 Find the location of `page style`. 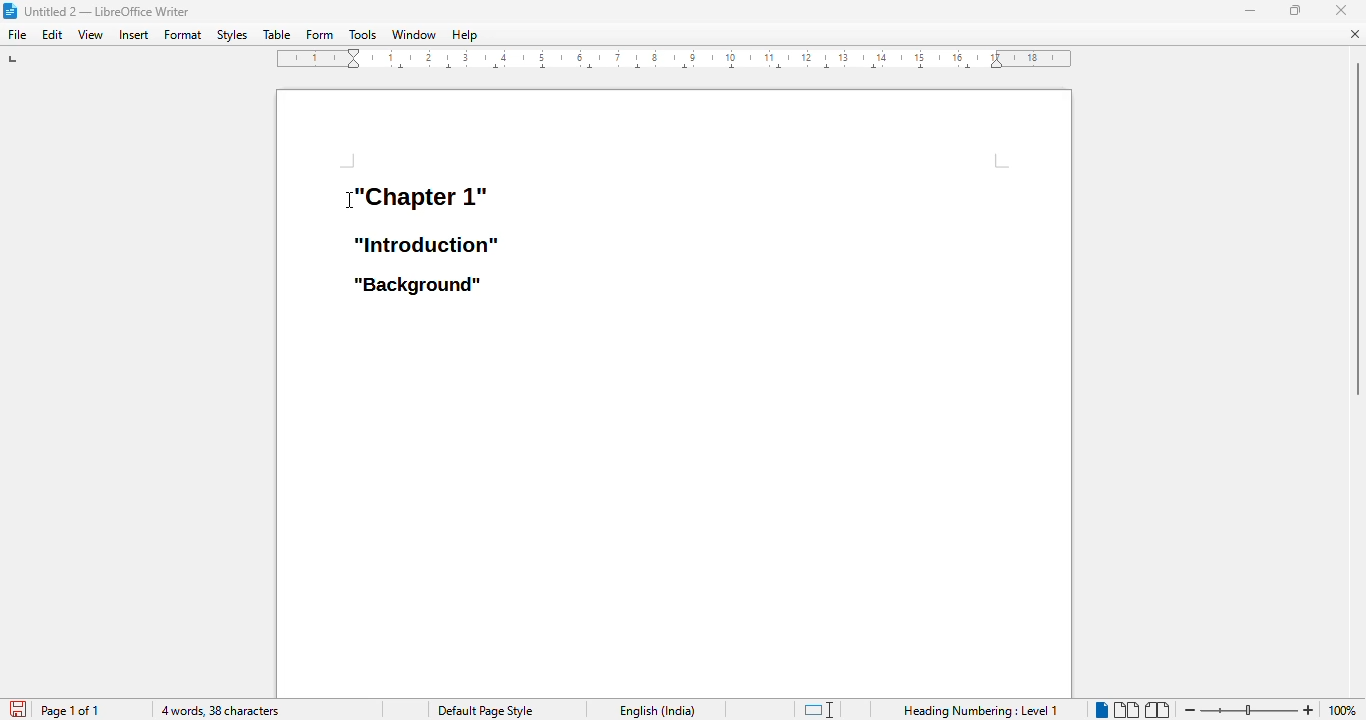

page style is located at coordinates (484, 711).